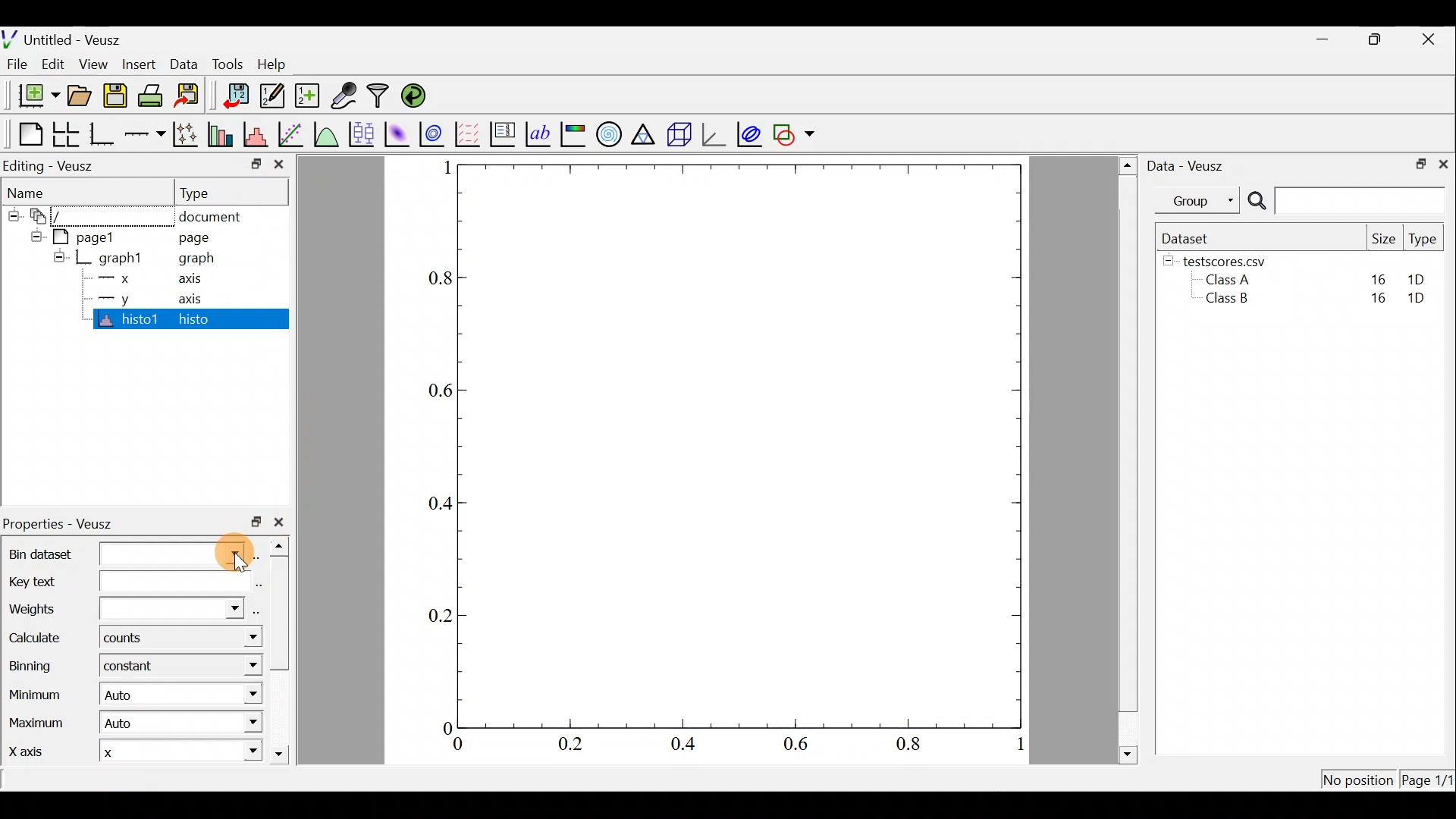  What do you see at coordinates (737, 444) in the screenshot?
I see `graph plot area` at bounding box center [737, 444].